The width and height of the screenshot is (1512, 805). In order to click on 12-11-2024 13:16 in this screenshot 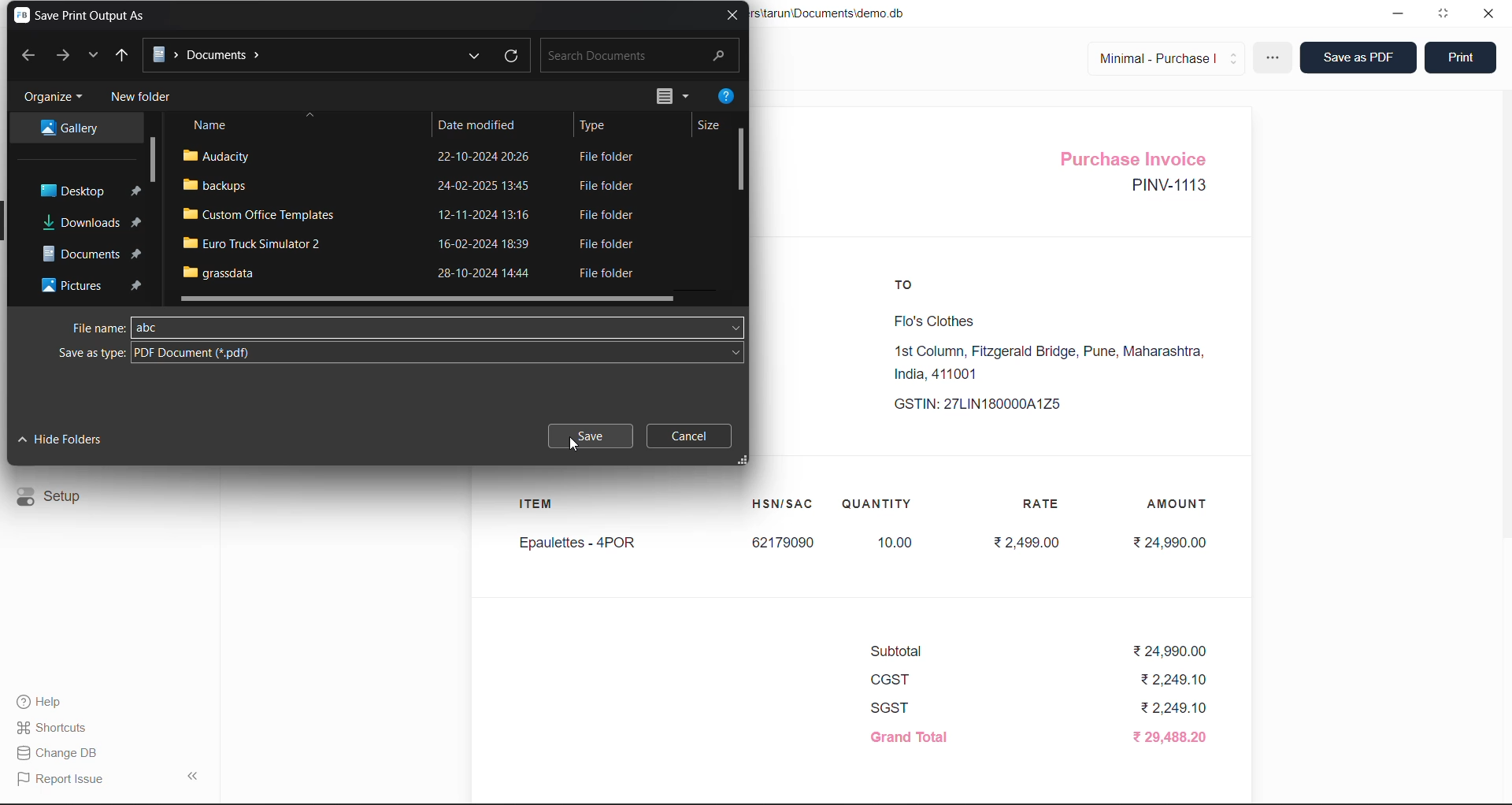, I will do `click(492, 213)`.